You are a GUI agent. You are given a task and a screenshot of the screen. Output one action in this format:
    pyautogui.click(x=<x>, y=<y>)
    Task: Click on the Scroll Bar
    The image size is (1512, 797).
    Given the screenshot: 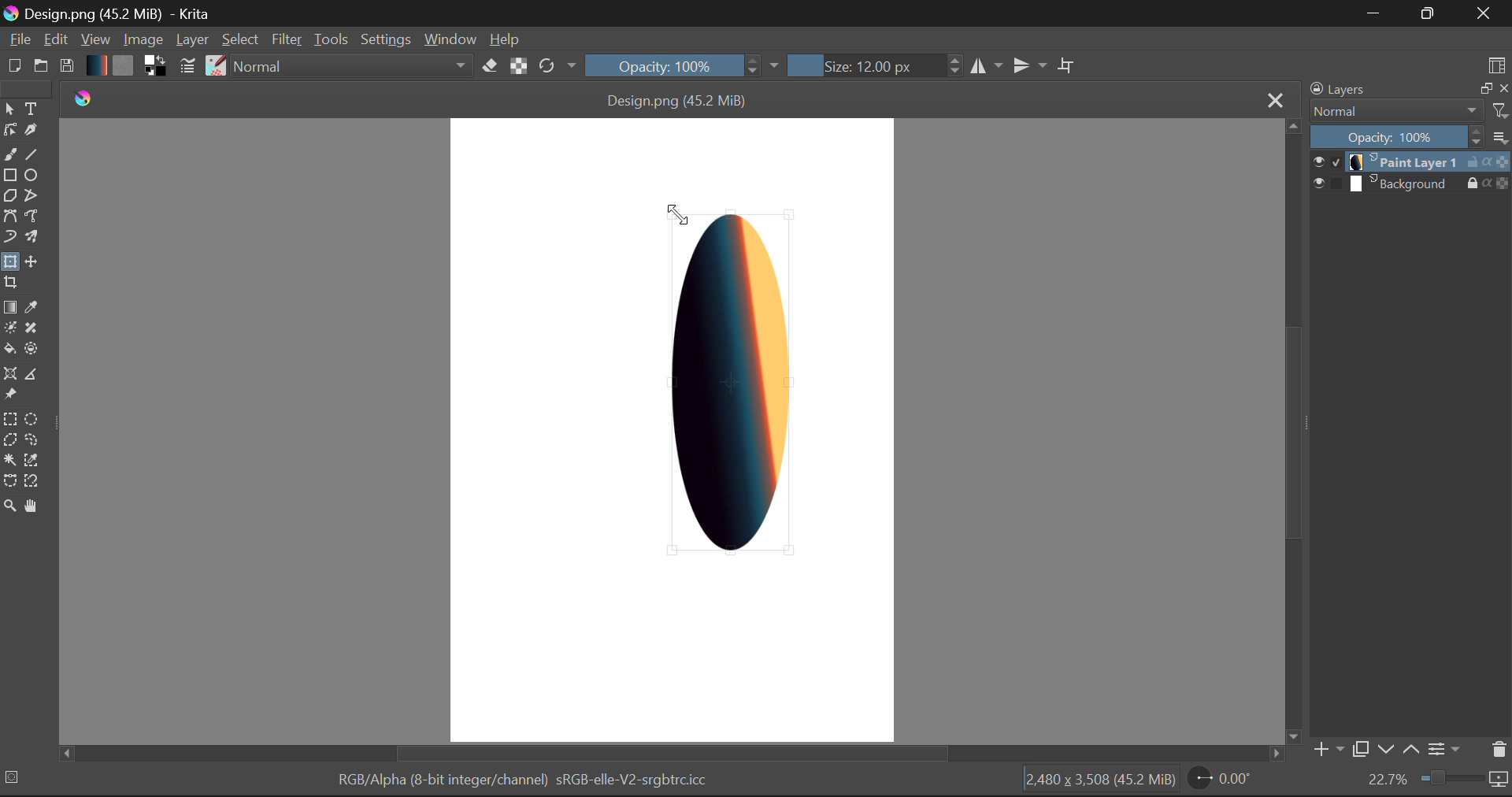 What is the action you would take?
    pyautogui.click(x=1291, y=430)
    